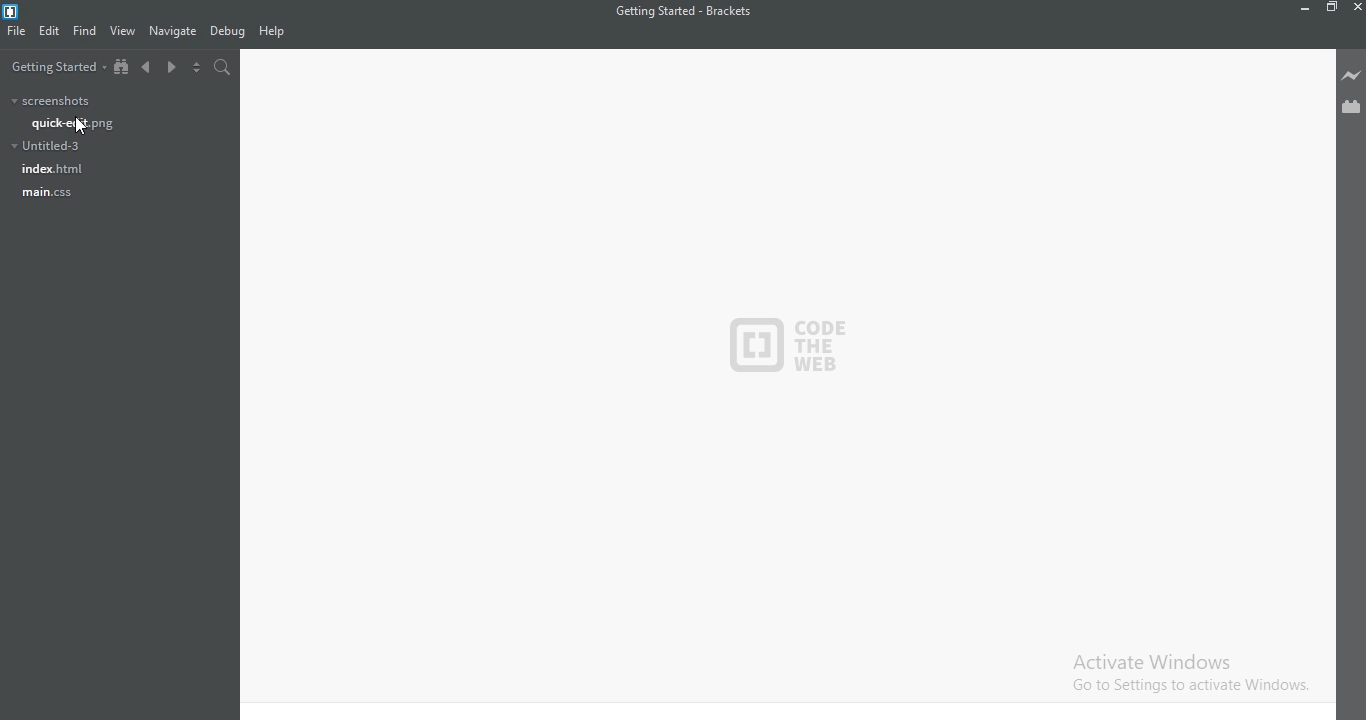  Describe the element at coordinates (1304, 9) in the screenshot. I see `restore` at that location.